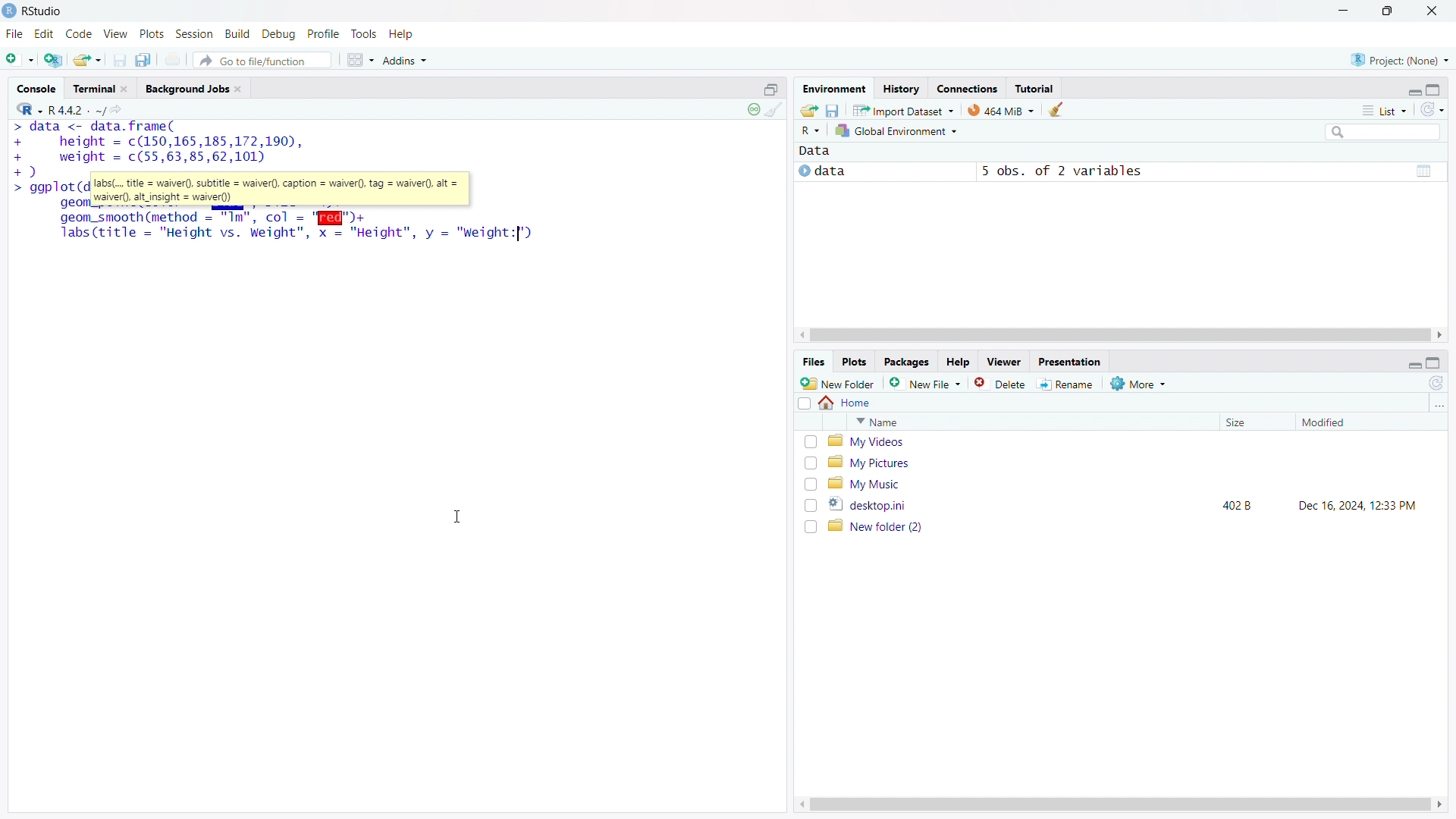 The width and height of the screenshot is (1456, 819). What do you see at coordinates (29, 108) in the screenshot?
I see `select programming language` at bounding box center [29, 108].